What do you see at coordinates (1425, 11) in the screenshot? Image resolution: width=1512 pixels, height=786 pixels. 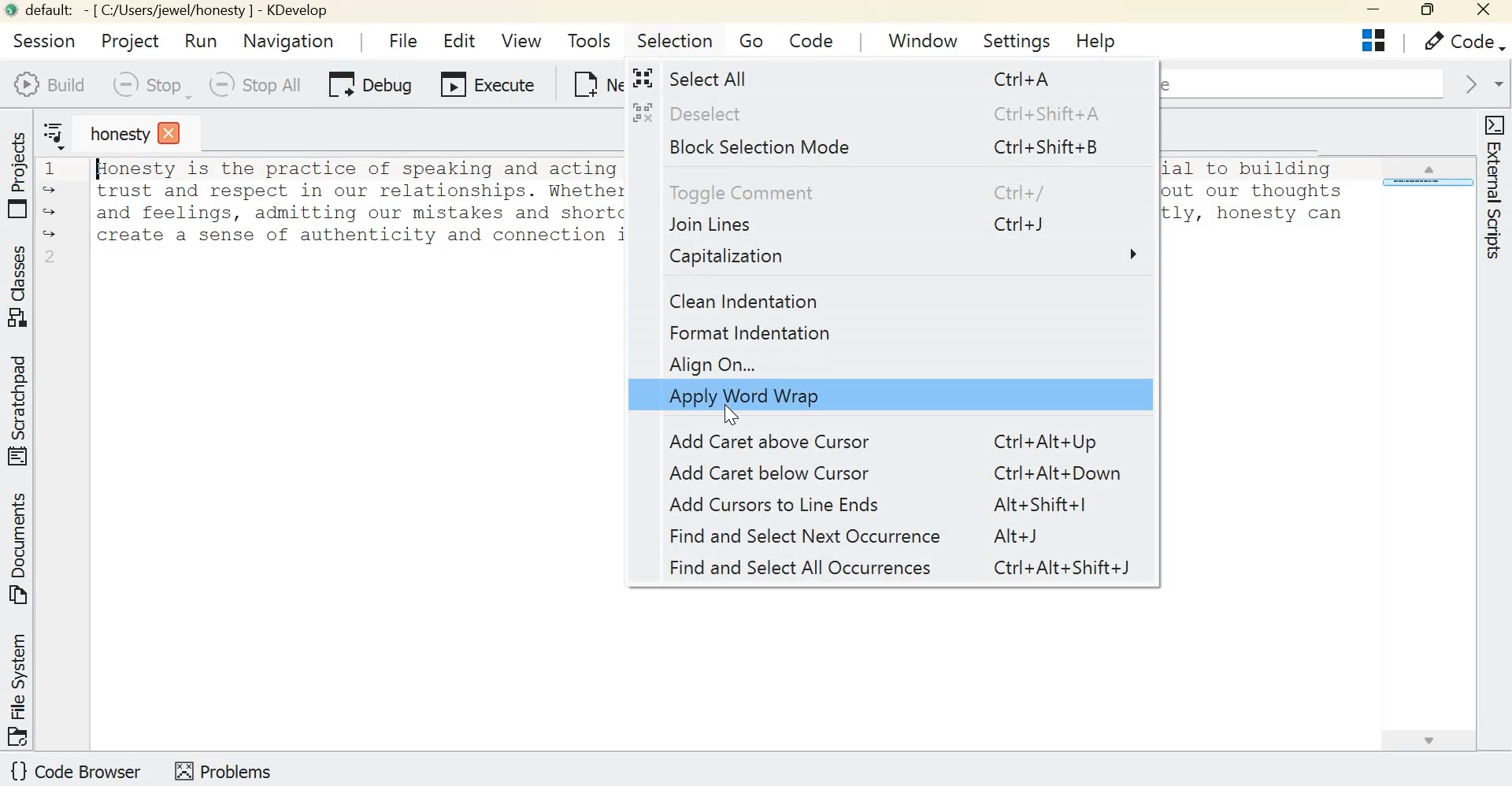 I see `Maximize` at bounding box center [1425, 11].